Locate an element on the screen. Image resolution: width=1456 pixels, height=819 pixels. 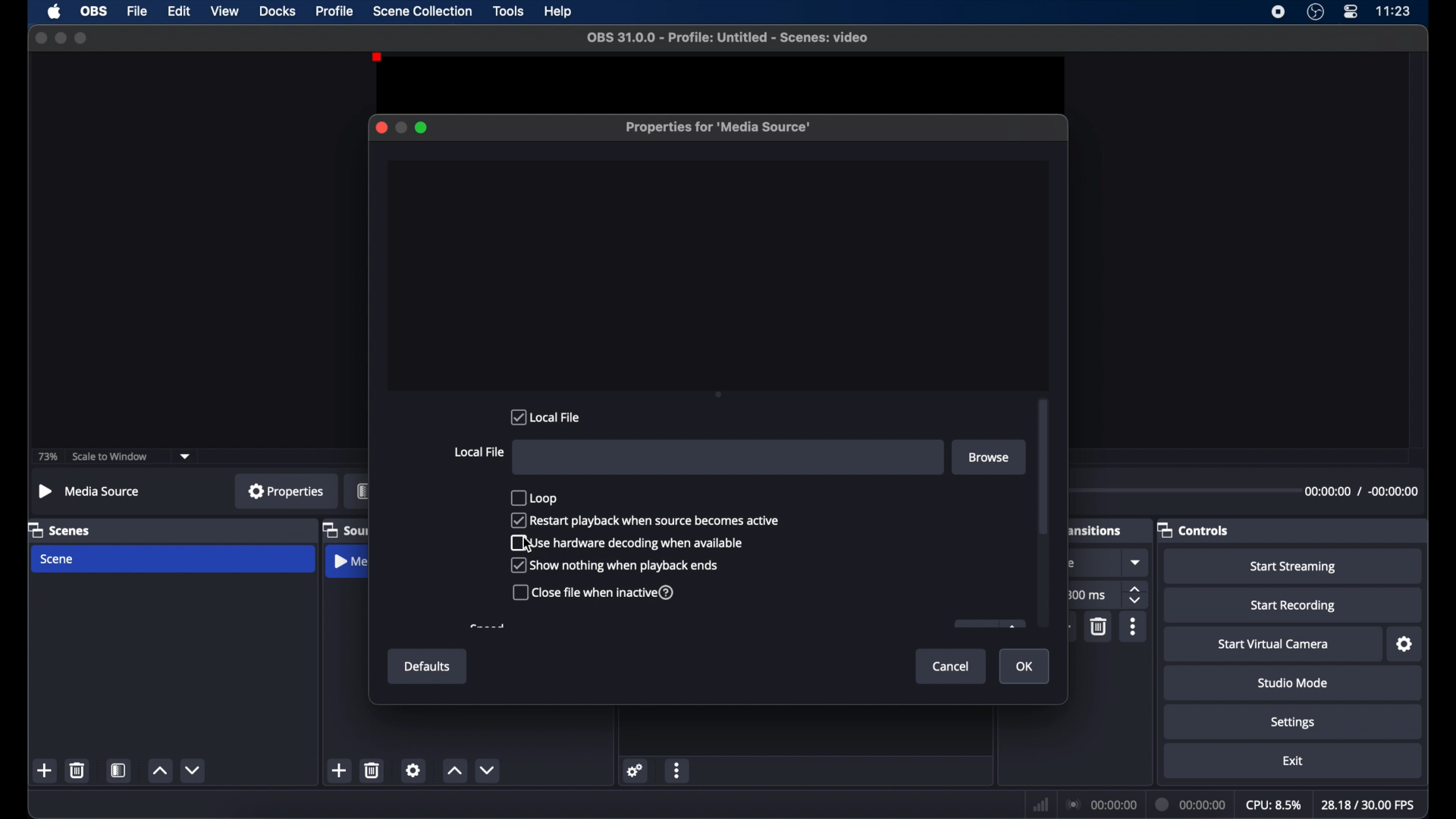
timestamps is located at coordinates (1361, 492).